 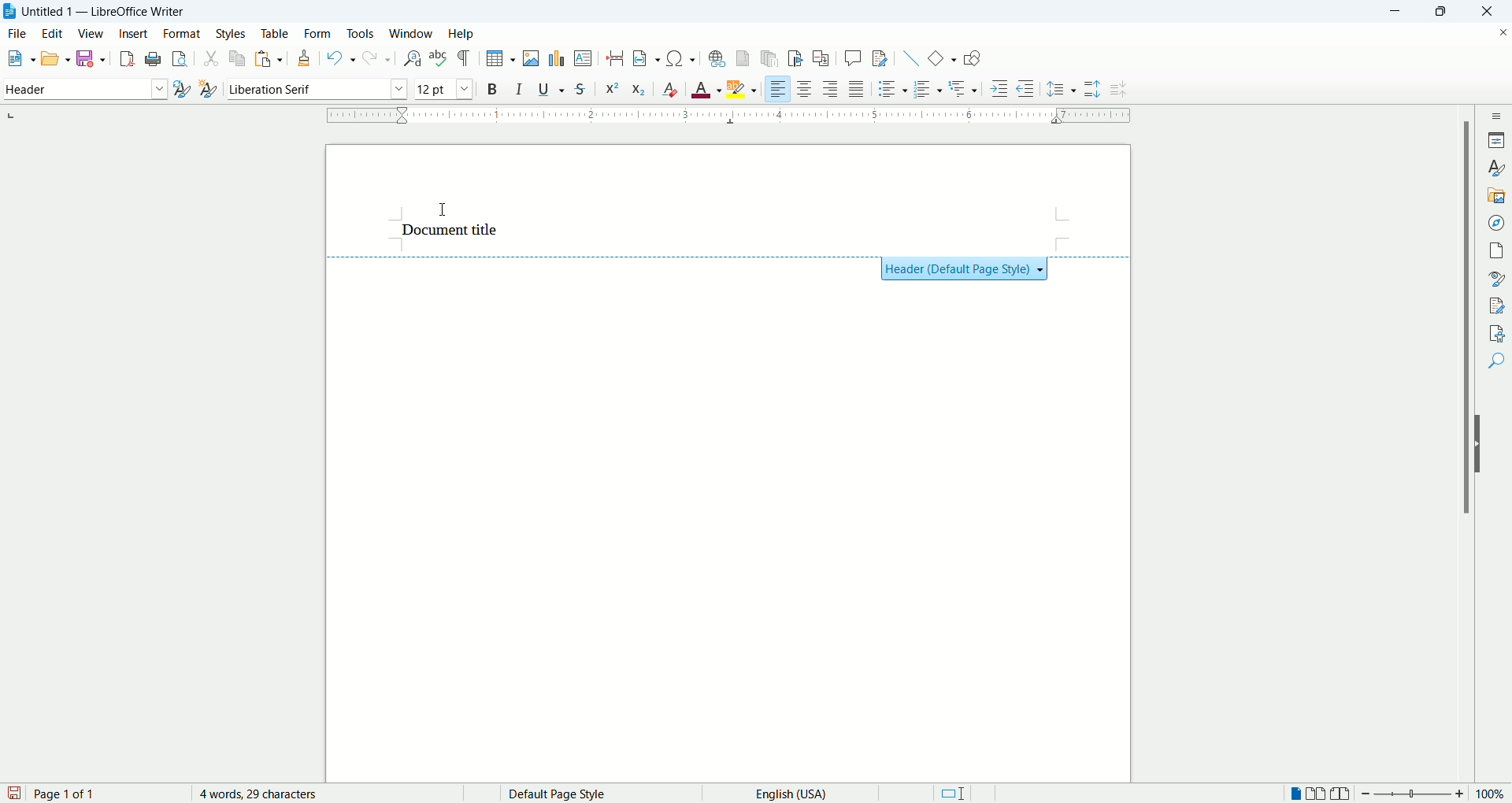 I want to click on pages, so click(x=1498, y=250).